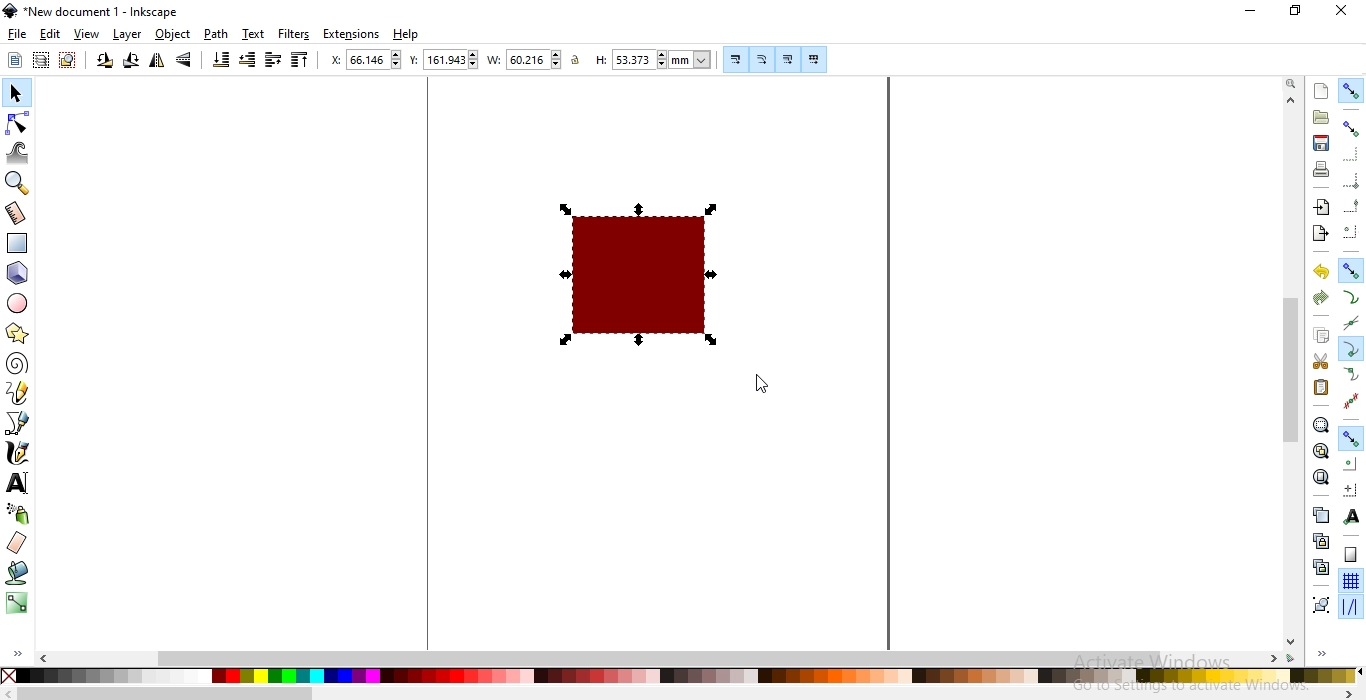 The height and width of the screenshot is (700, 1366). I want to click on flip vertically, so click(186, 61).